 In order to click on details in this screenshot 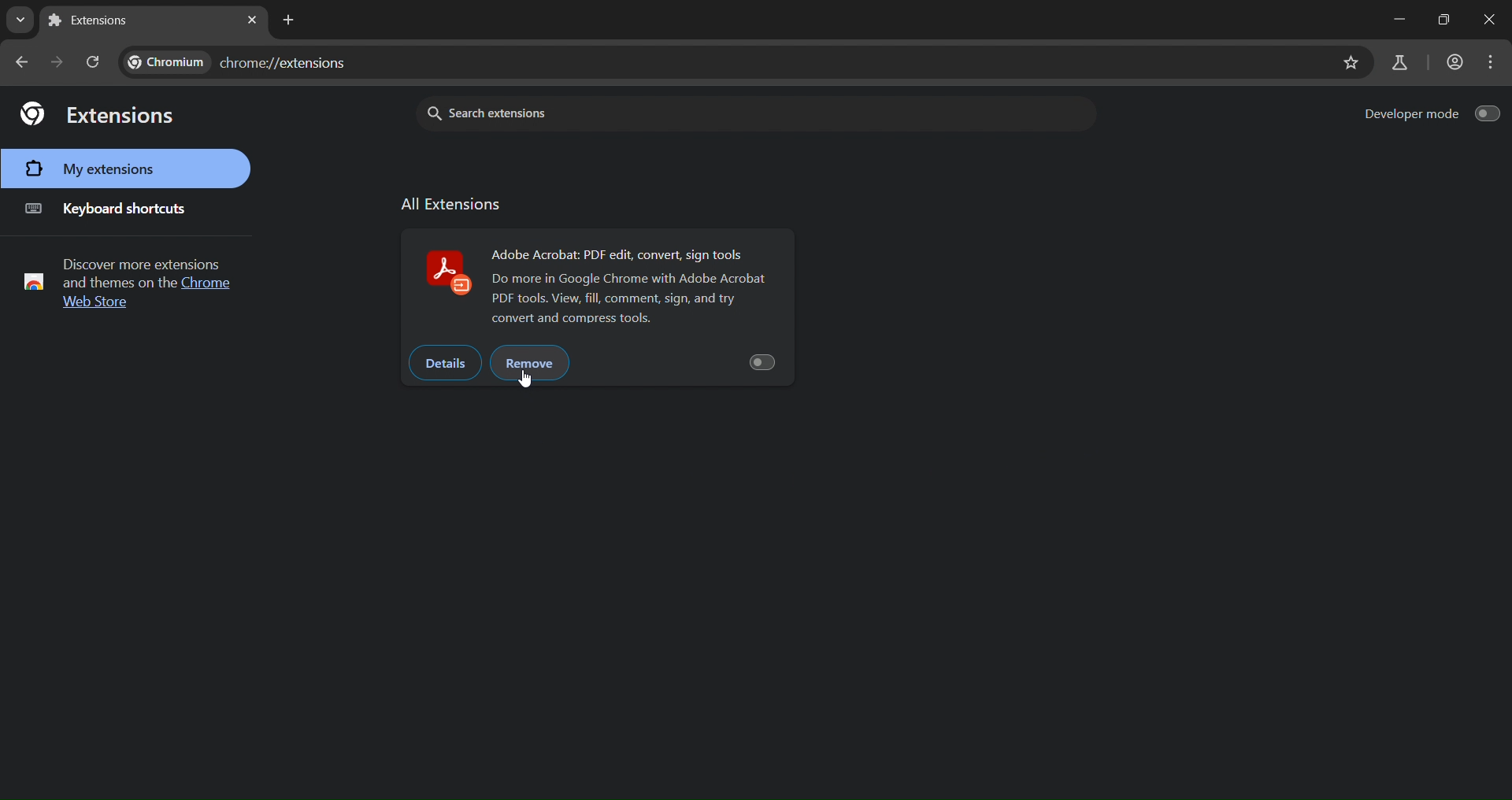, I will do `click(444, 363)`.